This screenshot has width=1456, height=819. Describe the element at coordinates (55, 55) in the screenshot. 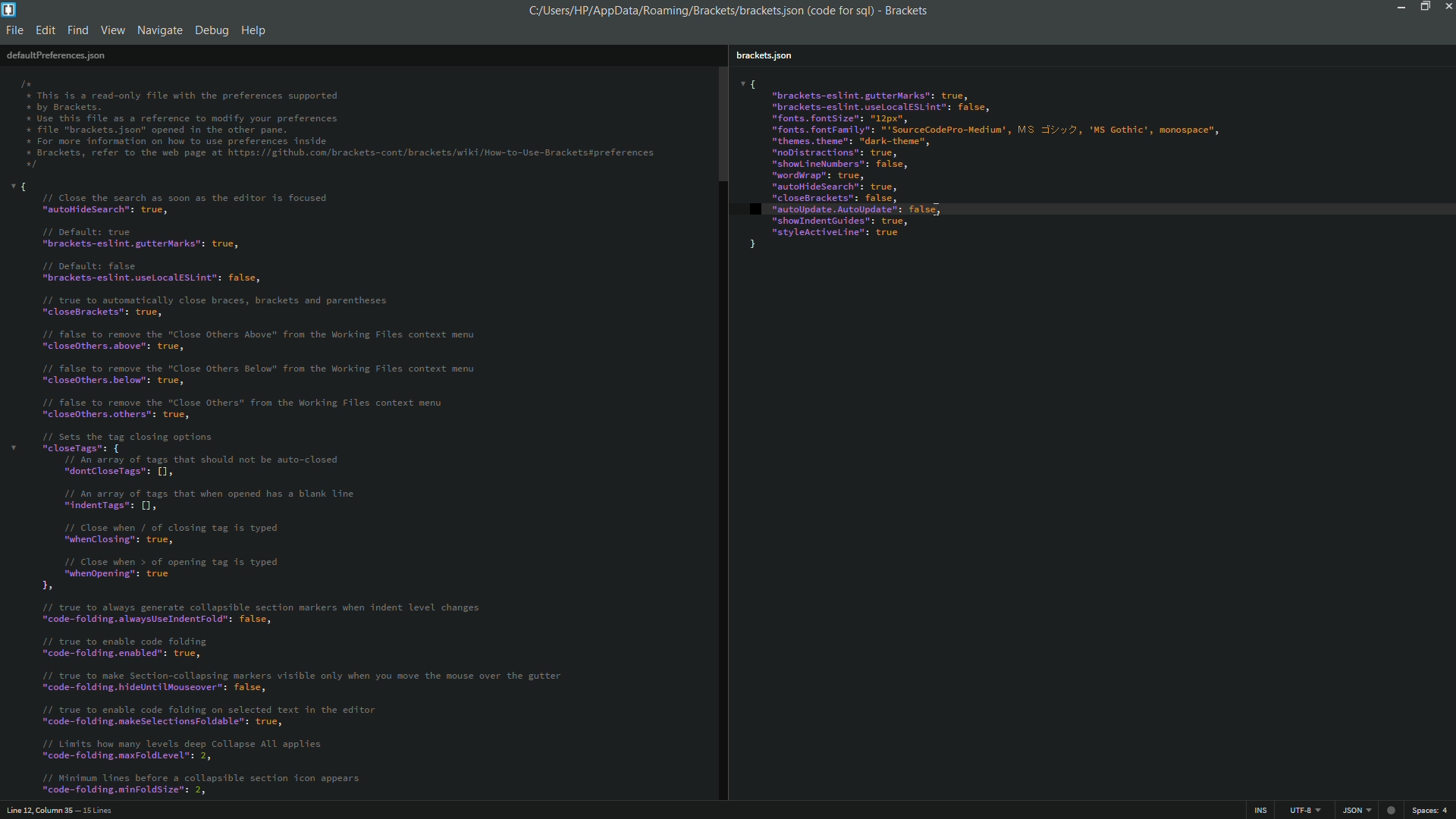

I see `defaultpreferences.json` at that location.